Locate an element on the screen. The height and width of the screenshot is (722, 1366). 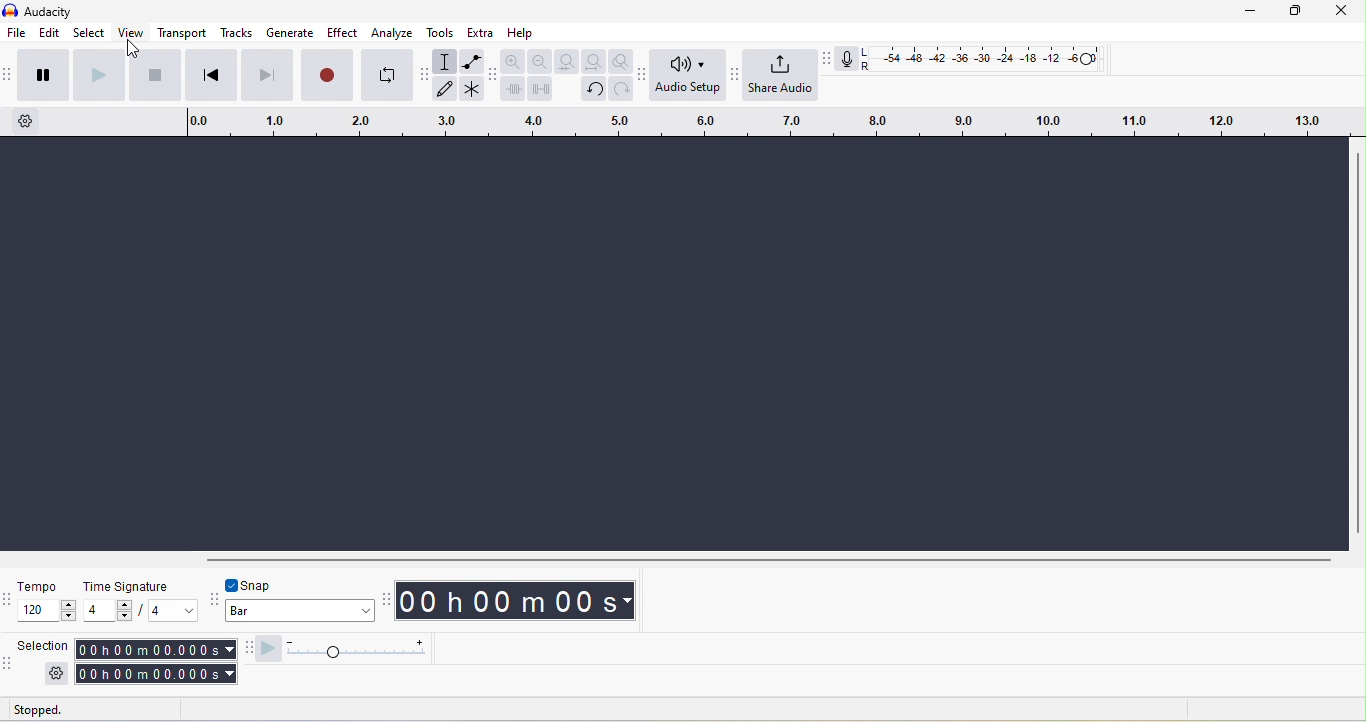
help is located at coordinates (521, 33).